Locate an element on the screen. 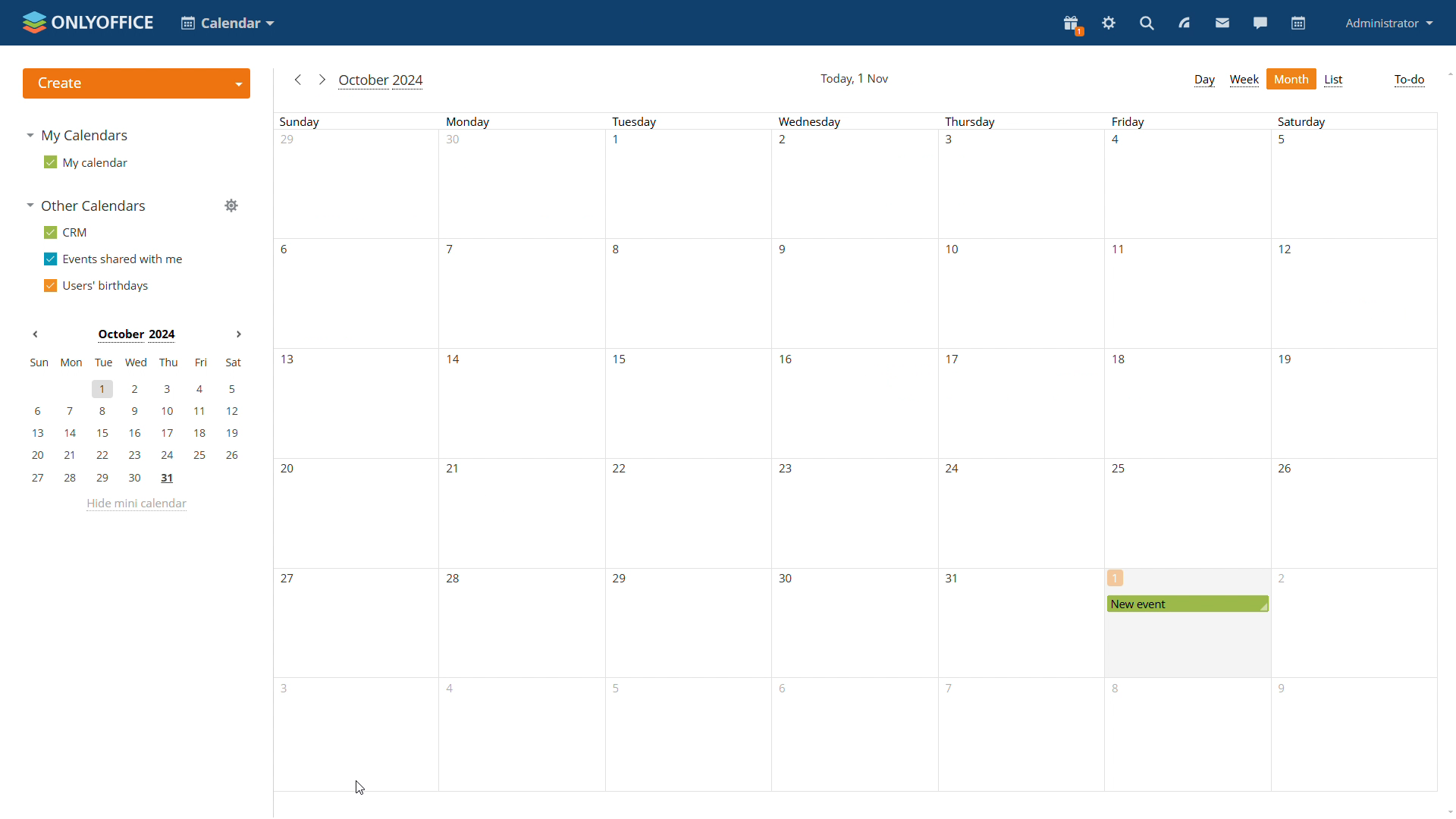  Next month is located at coordinates (236, 335).